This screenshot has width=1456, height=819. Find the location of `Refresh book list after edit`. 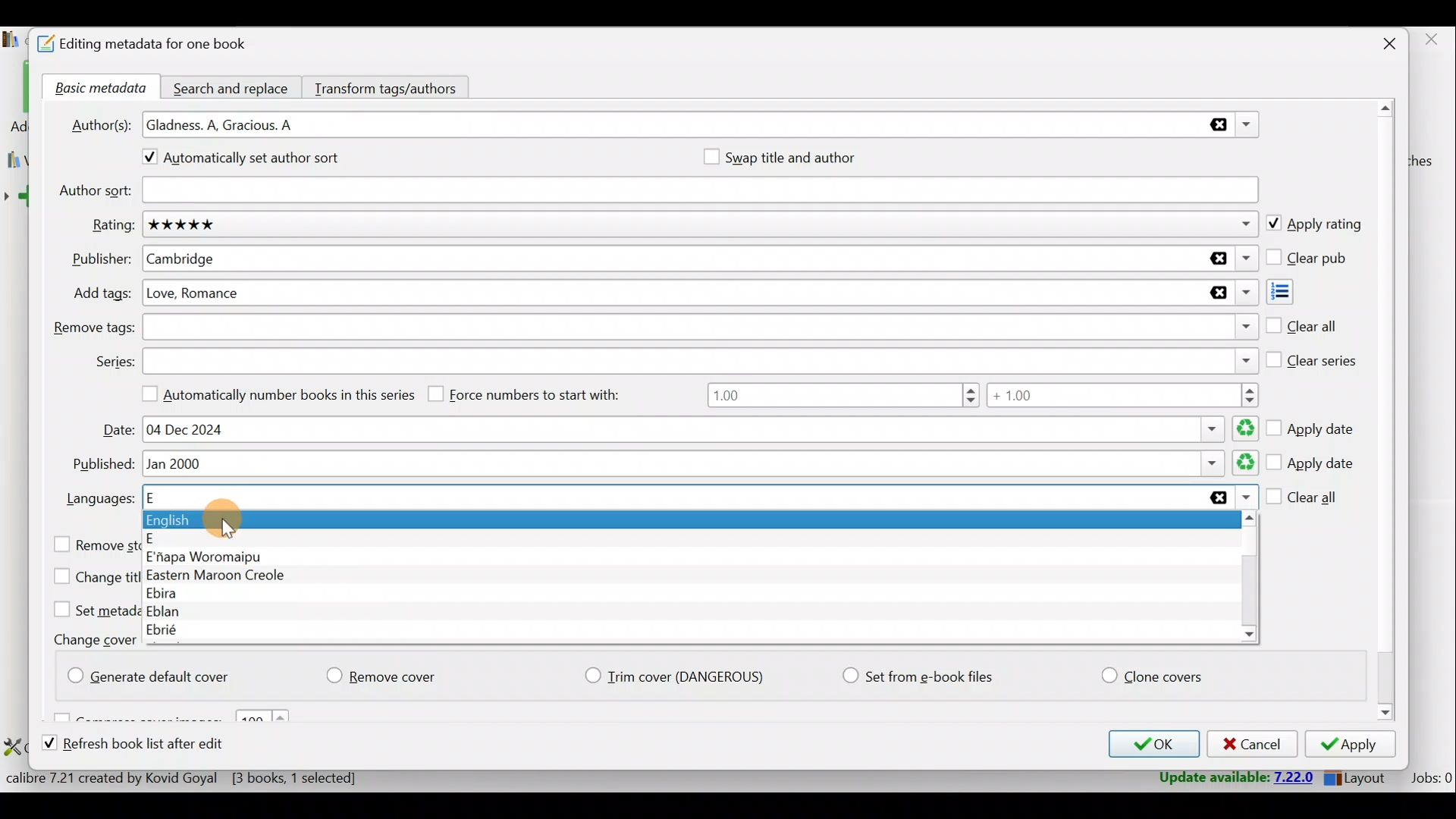

Refresh book list after edit is located at coordinates (147, 745).